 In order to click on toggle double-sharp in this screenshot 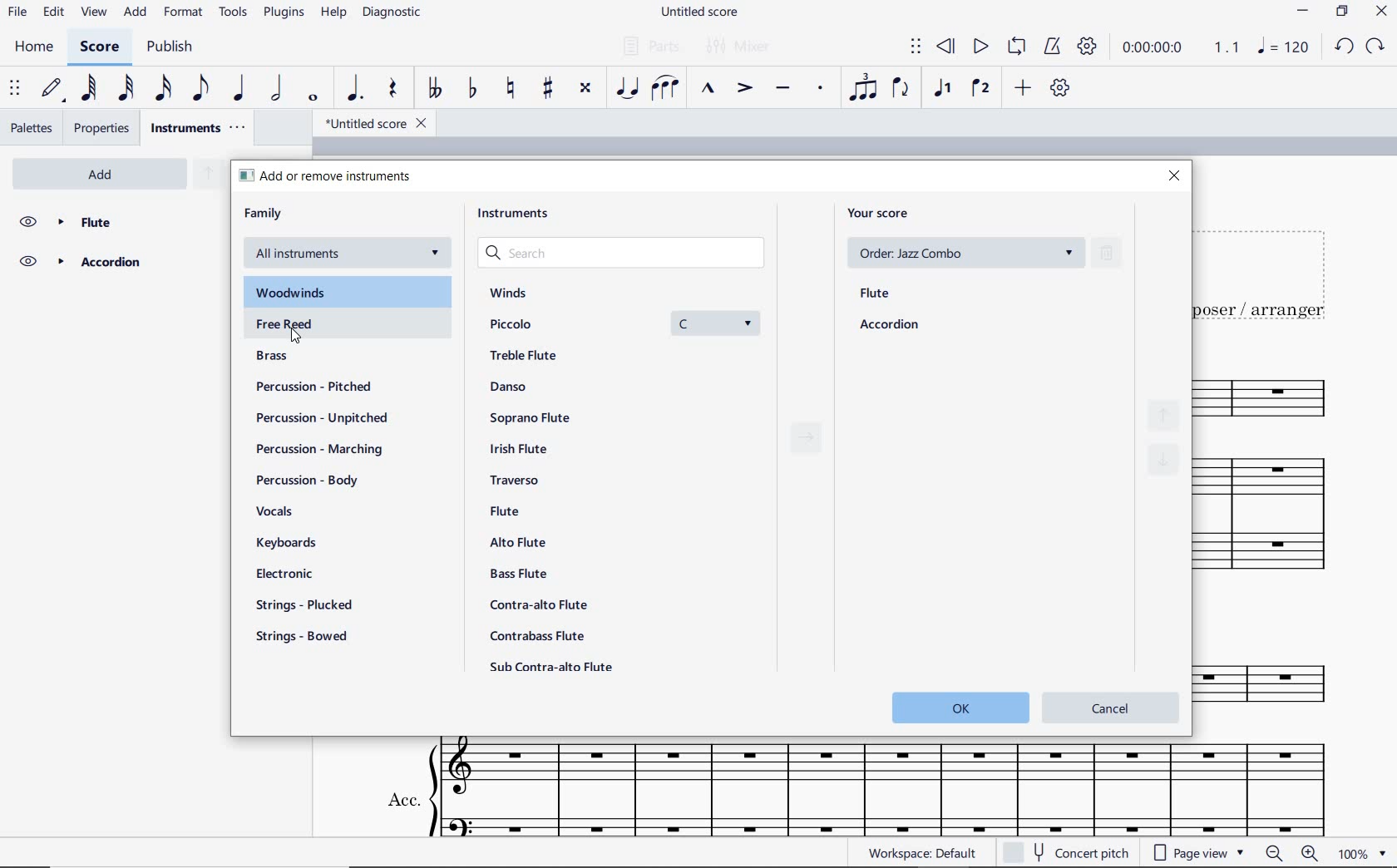, I will do `click(585, 91)`.